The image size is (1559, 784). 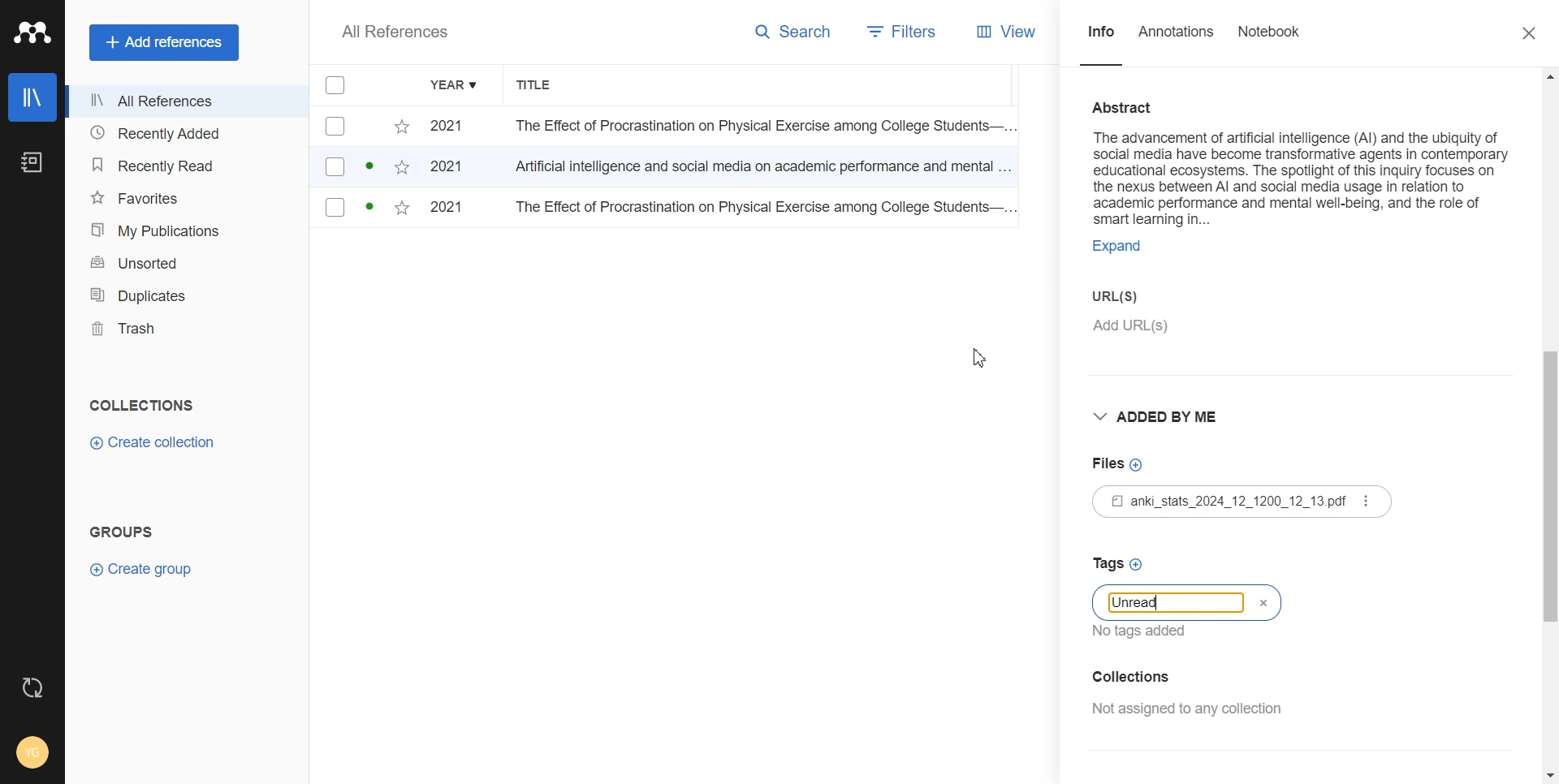 What do you see at coordinates (1121, 463) in the screenshot?
I see `Add files` at bounding box center [1121, 463].